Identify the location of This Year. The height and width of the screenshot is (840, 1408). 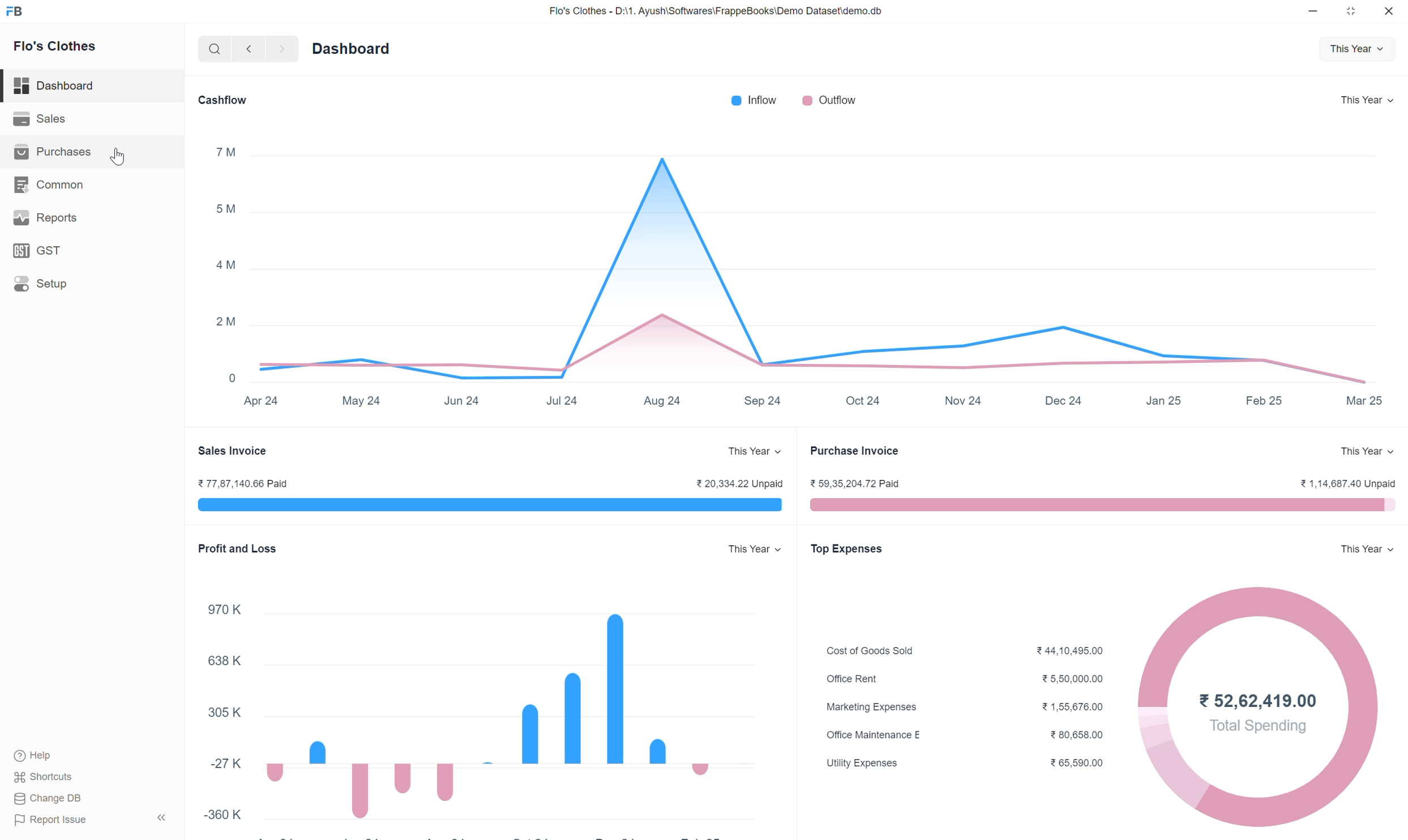
(755, 548).